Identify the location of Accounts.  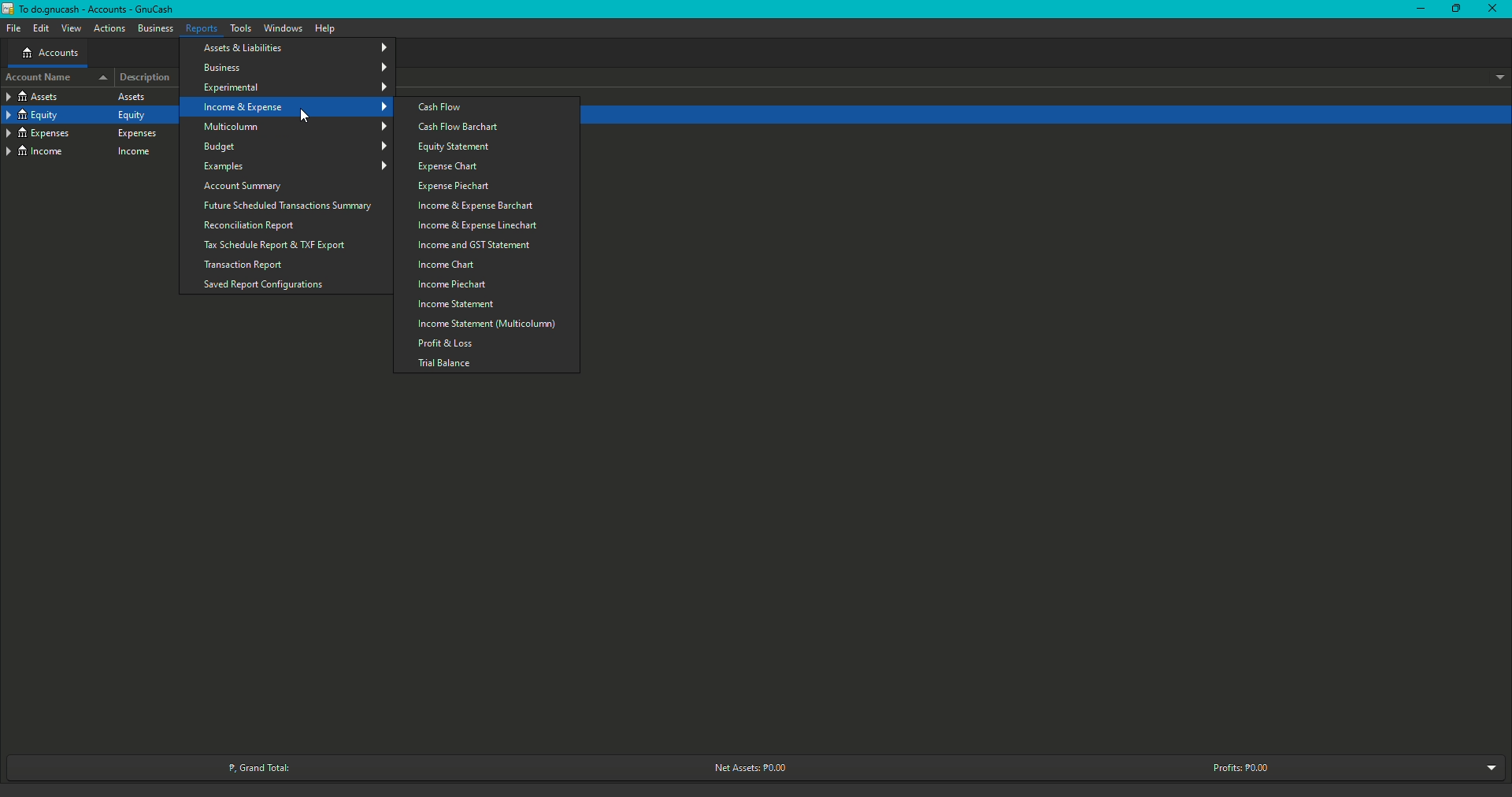
(50, 53).